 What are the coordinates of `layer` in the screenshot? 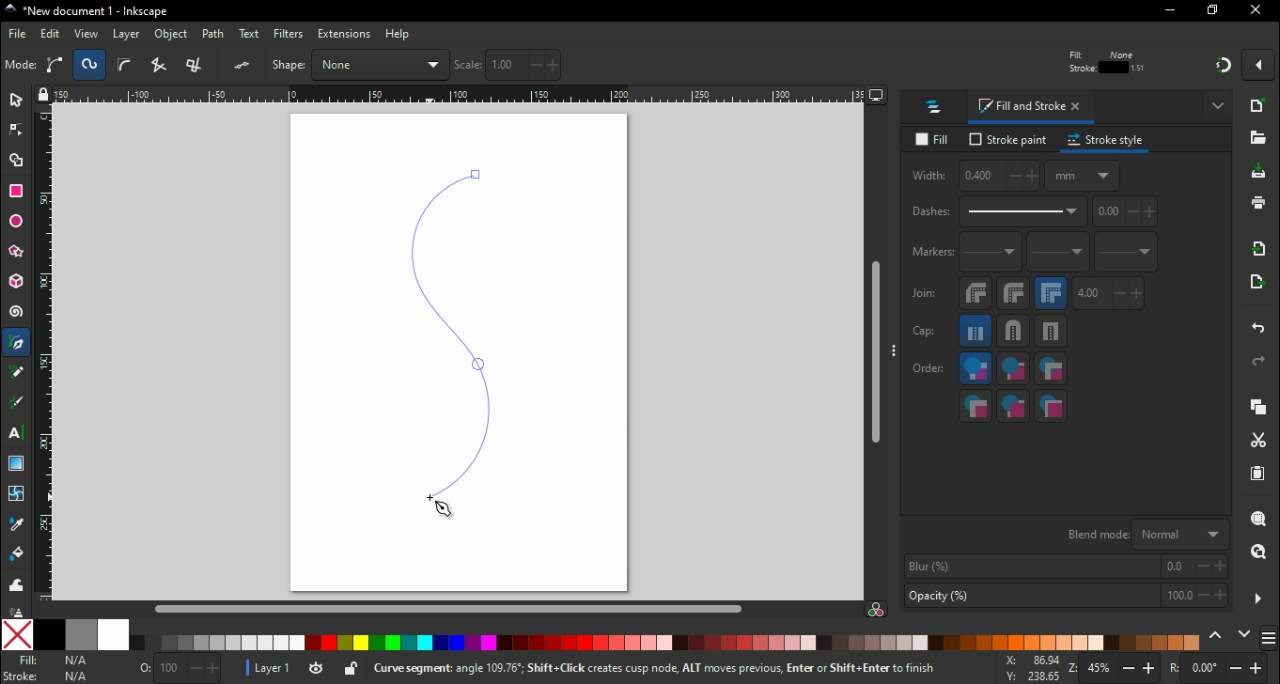 It's located at (127, 35).